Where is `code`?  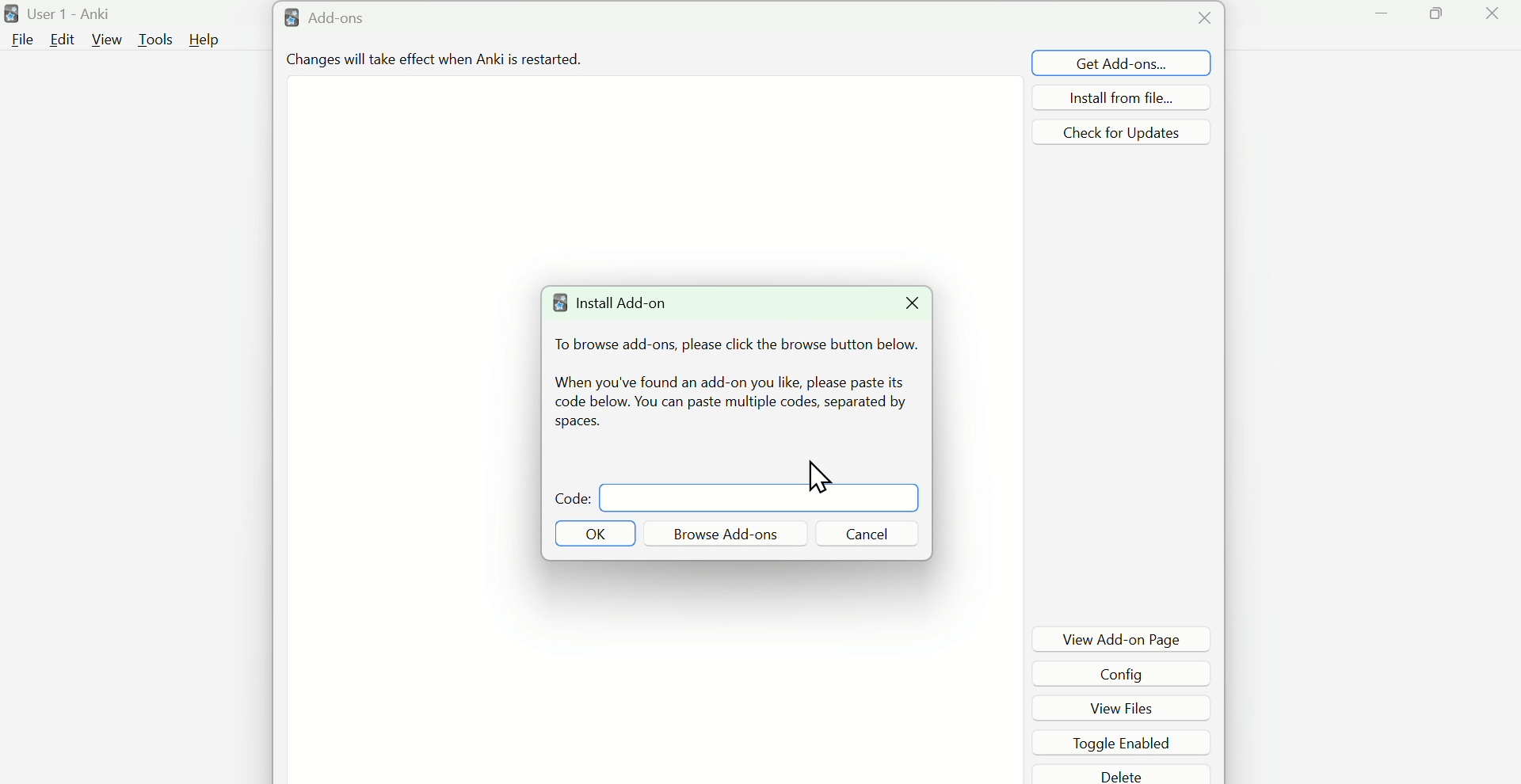
code is located at coordinates (565, 496).